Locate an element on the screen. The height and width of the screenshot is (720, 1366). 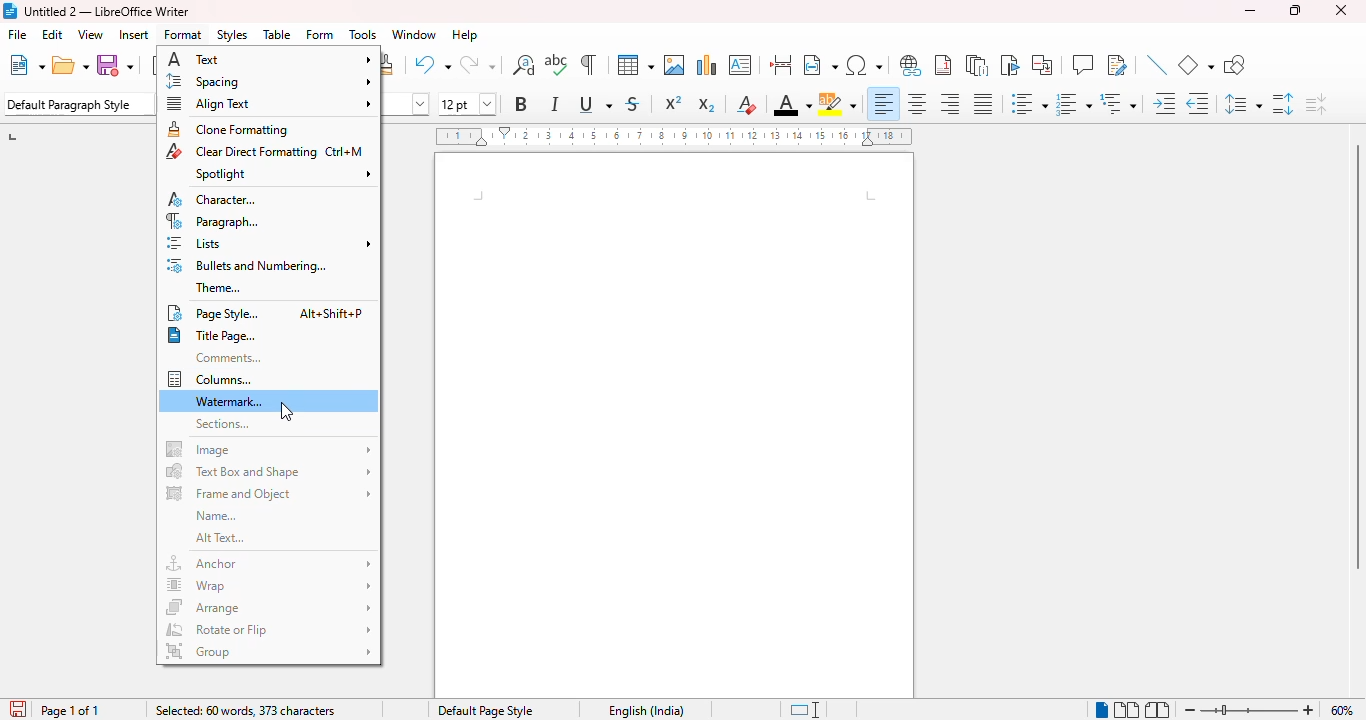
maximize is located at coordinates (1296, 10).